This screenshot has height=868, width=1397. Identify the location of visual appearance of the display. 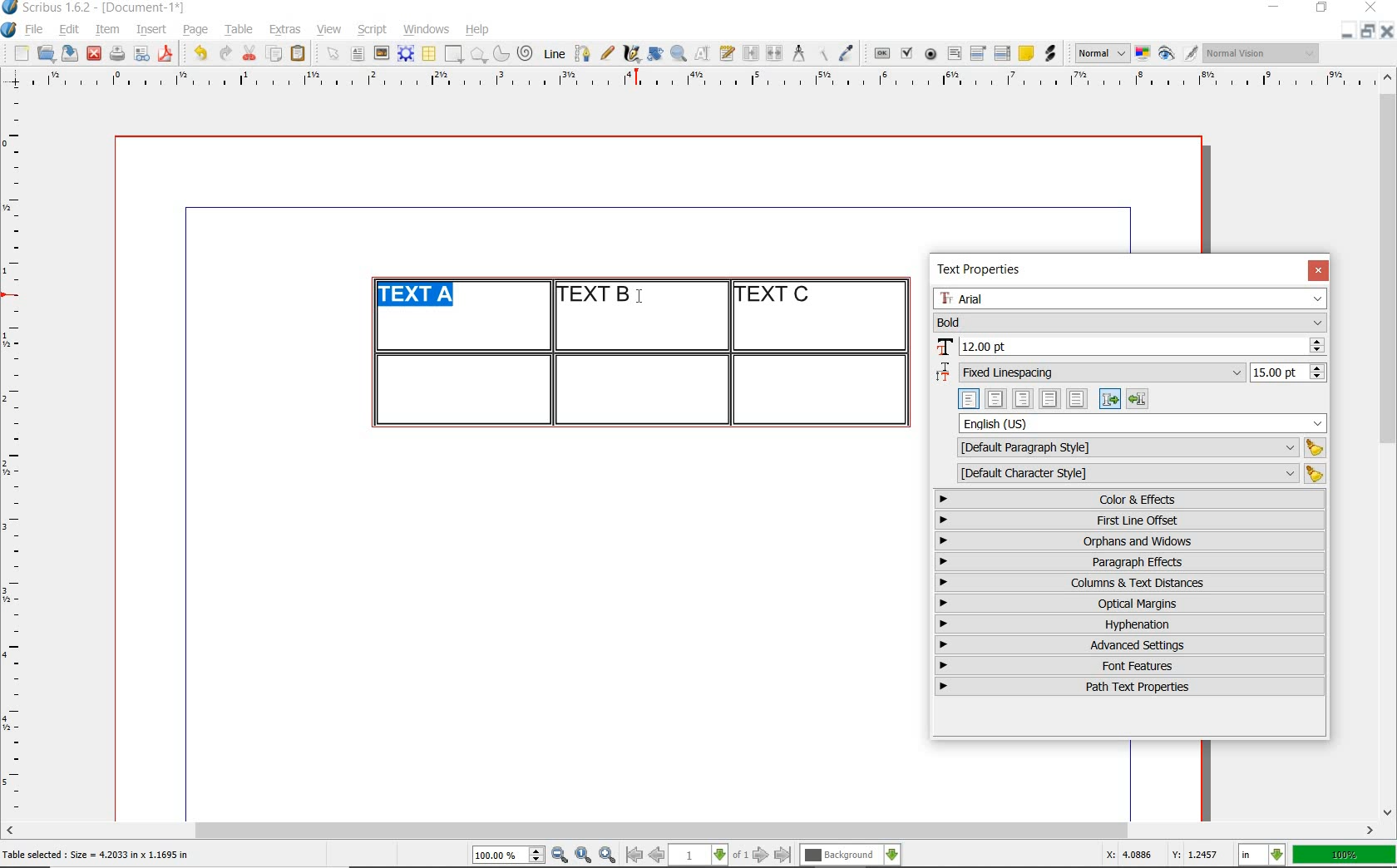
(1262, 53).